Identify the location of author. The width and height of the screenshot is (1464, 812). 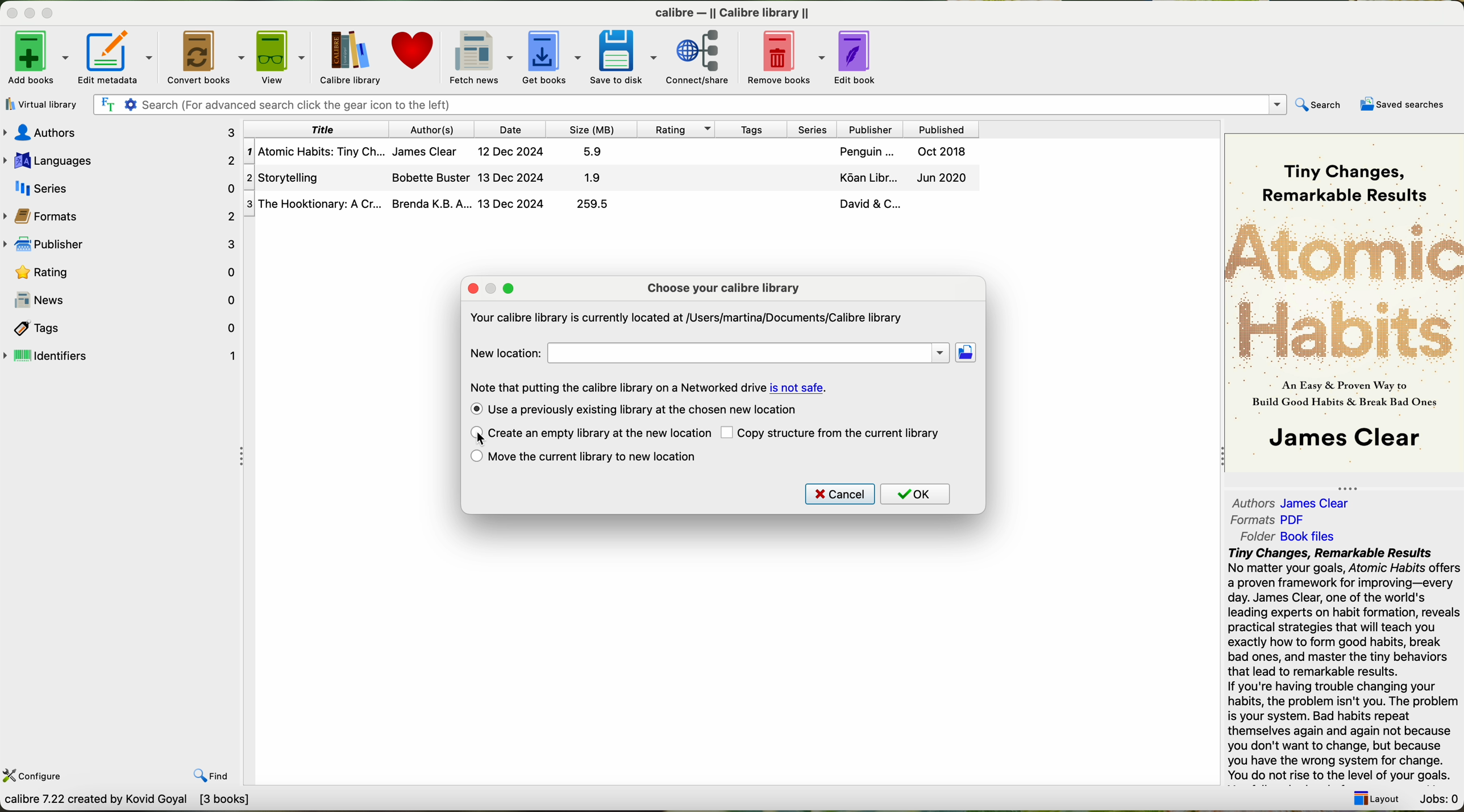
(434, 129).